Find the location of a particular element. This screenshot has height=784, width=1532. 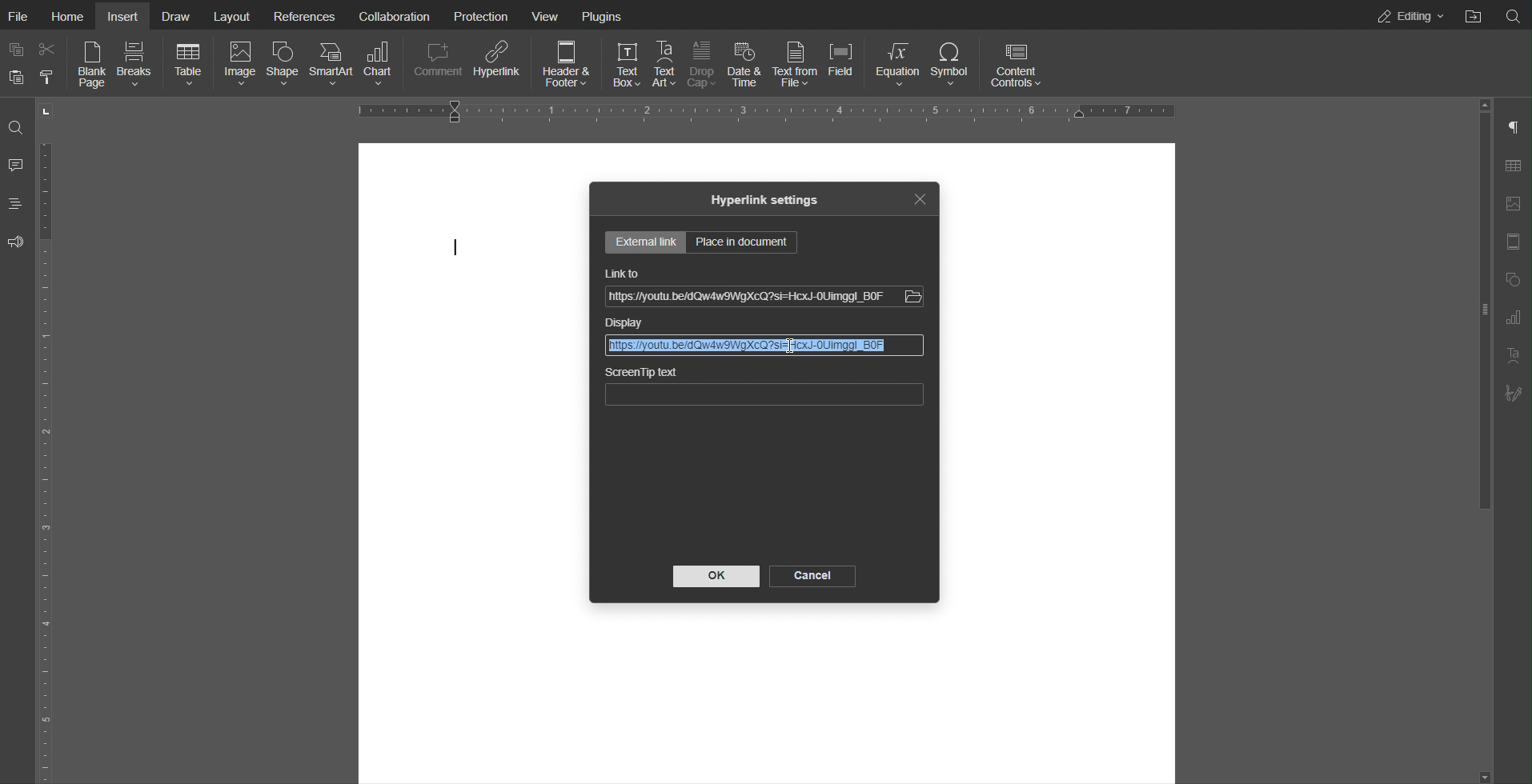

Header Footer is located at coordinates (1512, 244).